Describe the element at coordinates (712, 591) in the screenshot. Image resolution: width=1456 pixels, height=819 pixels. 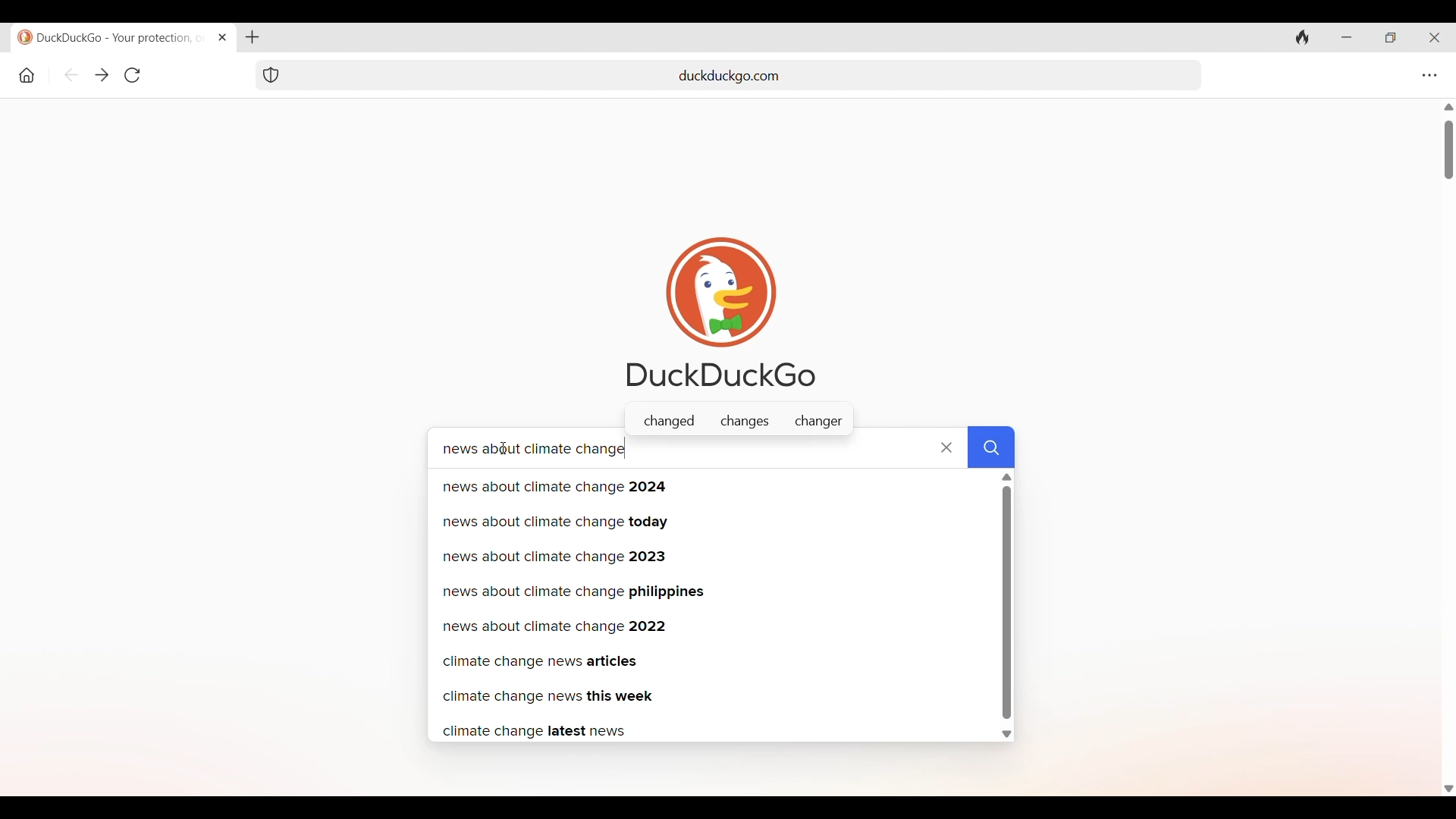
I see `News about climate change Philippines` at that location.